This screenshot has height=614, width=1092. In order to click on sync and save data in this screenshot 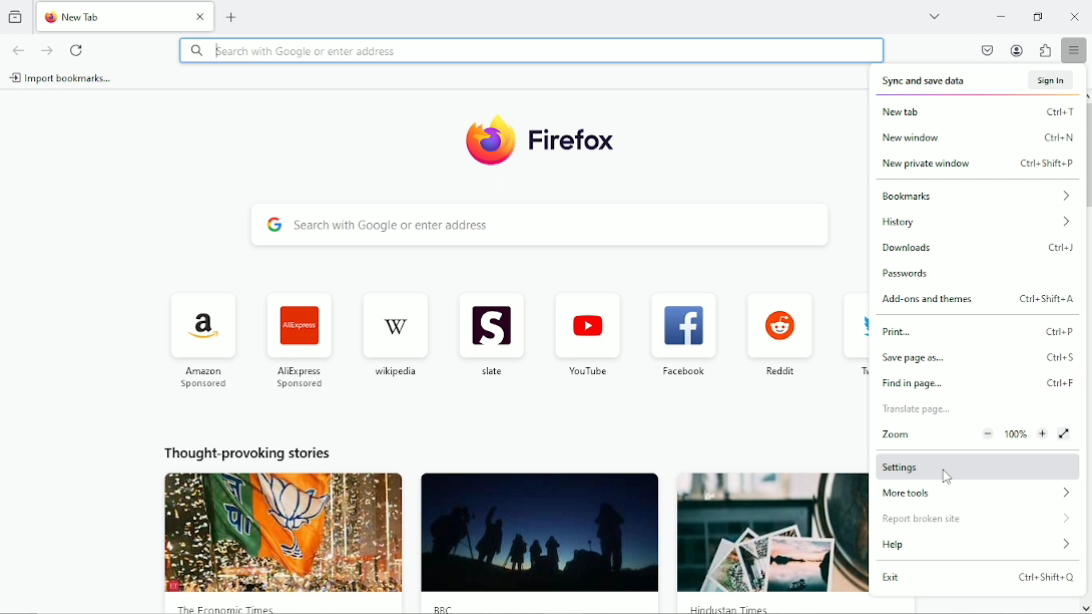, I will do `click(980, 81)`.